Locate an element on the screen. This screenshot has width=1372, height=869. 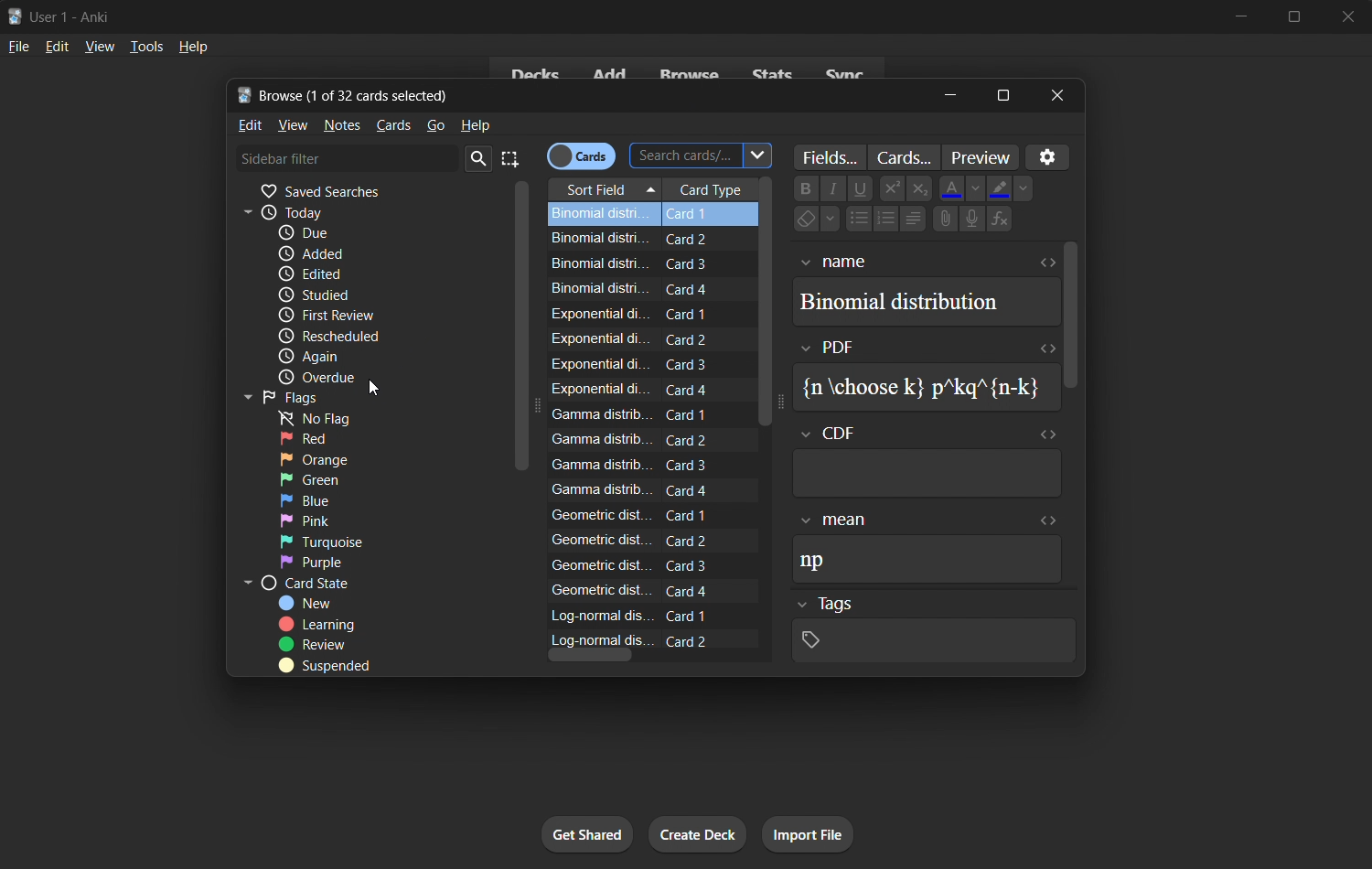
notes is located at coordinates (342, 126).